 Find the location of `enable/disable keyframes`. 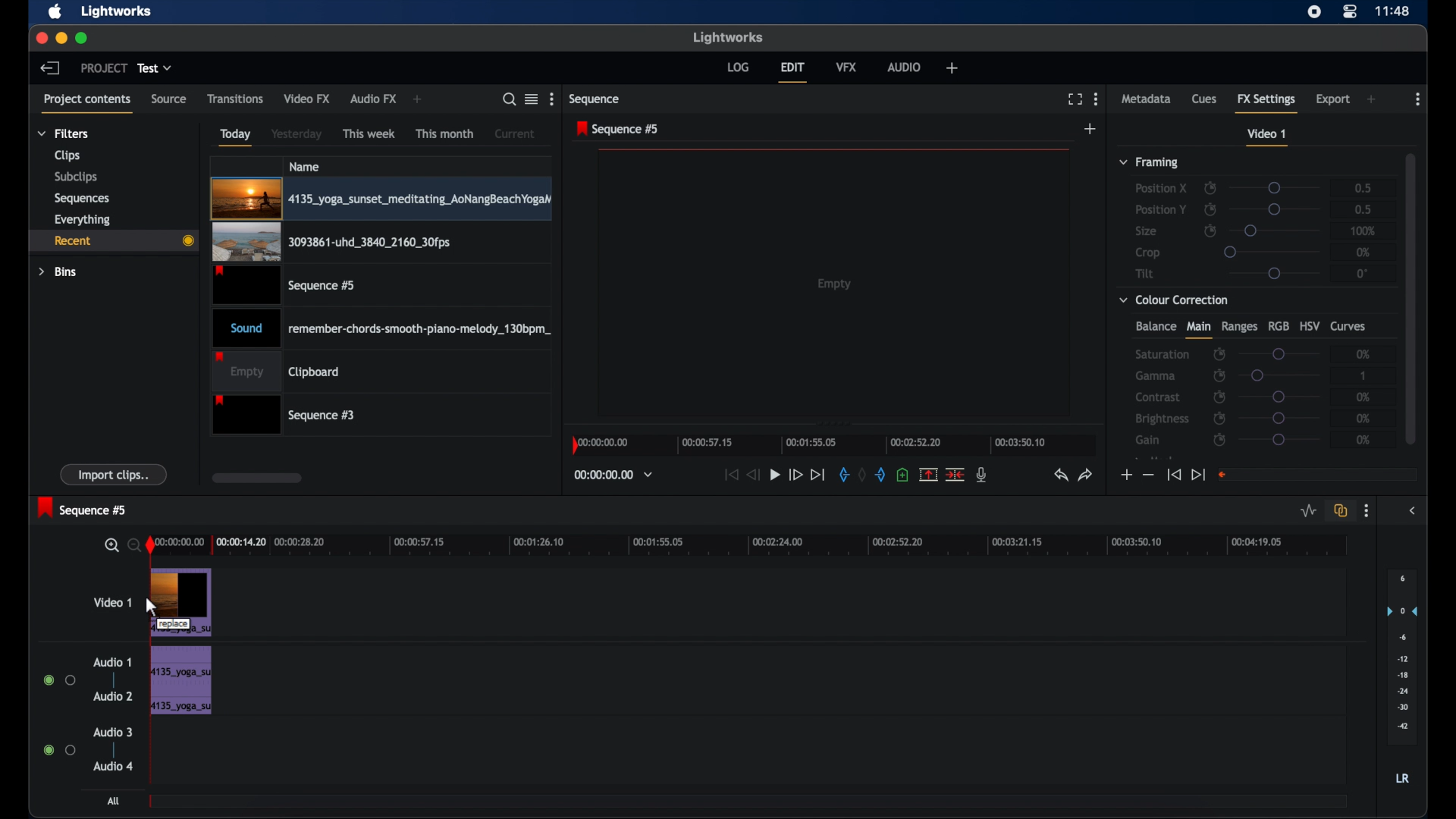

enable/disable keyframes is located at coordinates (1210, 231).